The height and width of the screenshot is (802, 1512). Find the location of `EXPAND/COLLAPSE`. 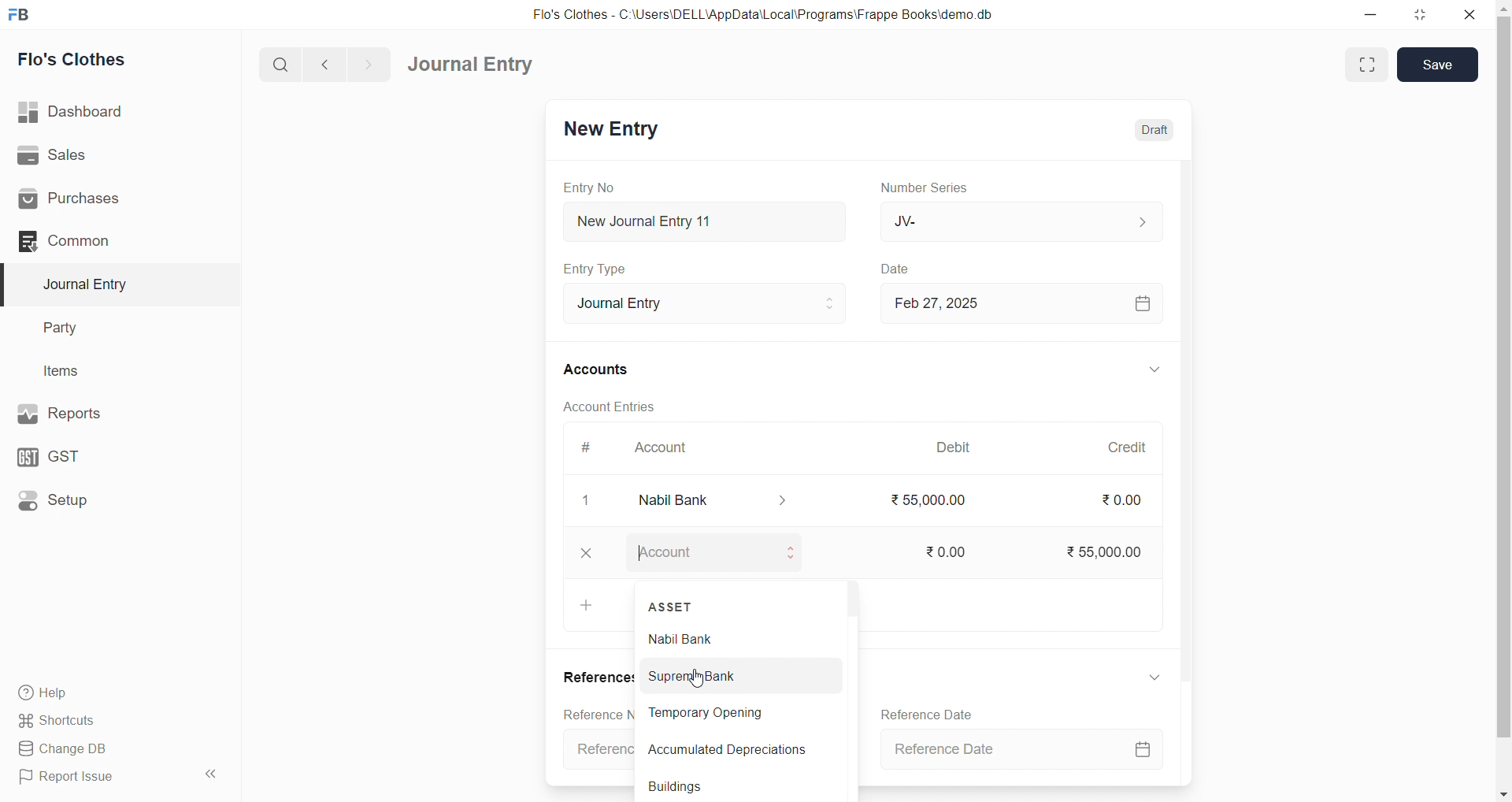

EXPAND/COLLAPSE is located at coordinates (1157, 677).